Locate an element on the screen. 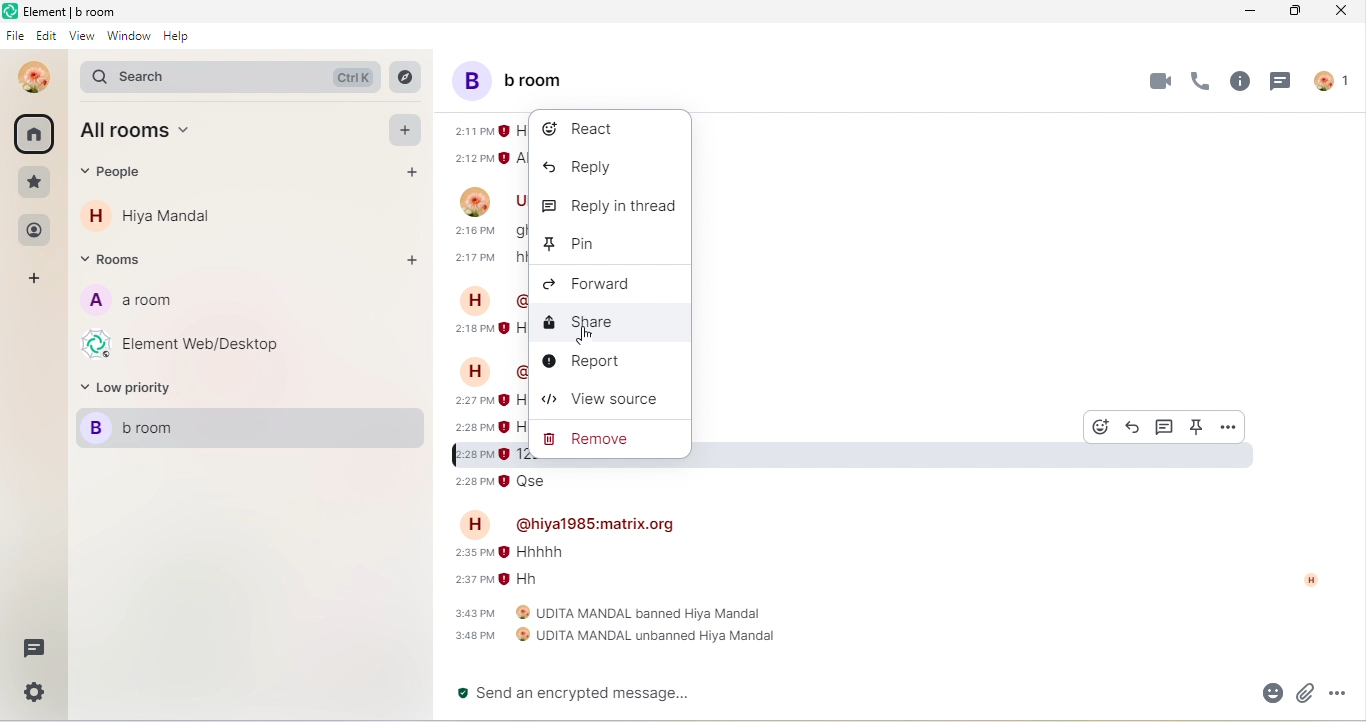 The height and width of the screenshot is (722, 1366). explore is located at coordinates (406, 77).